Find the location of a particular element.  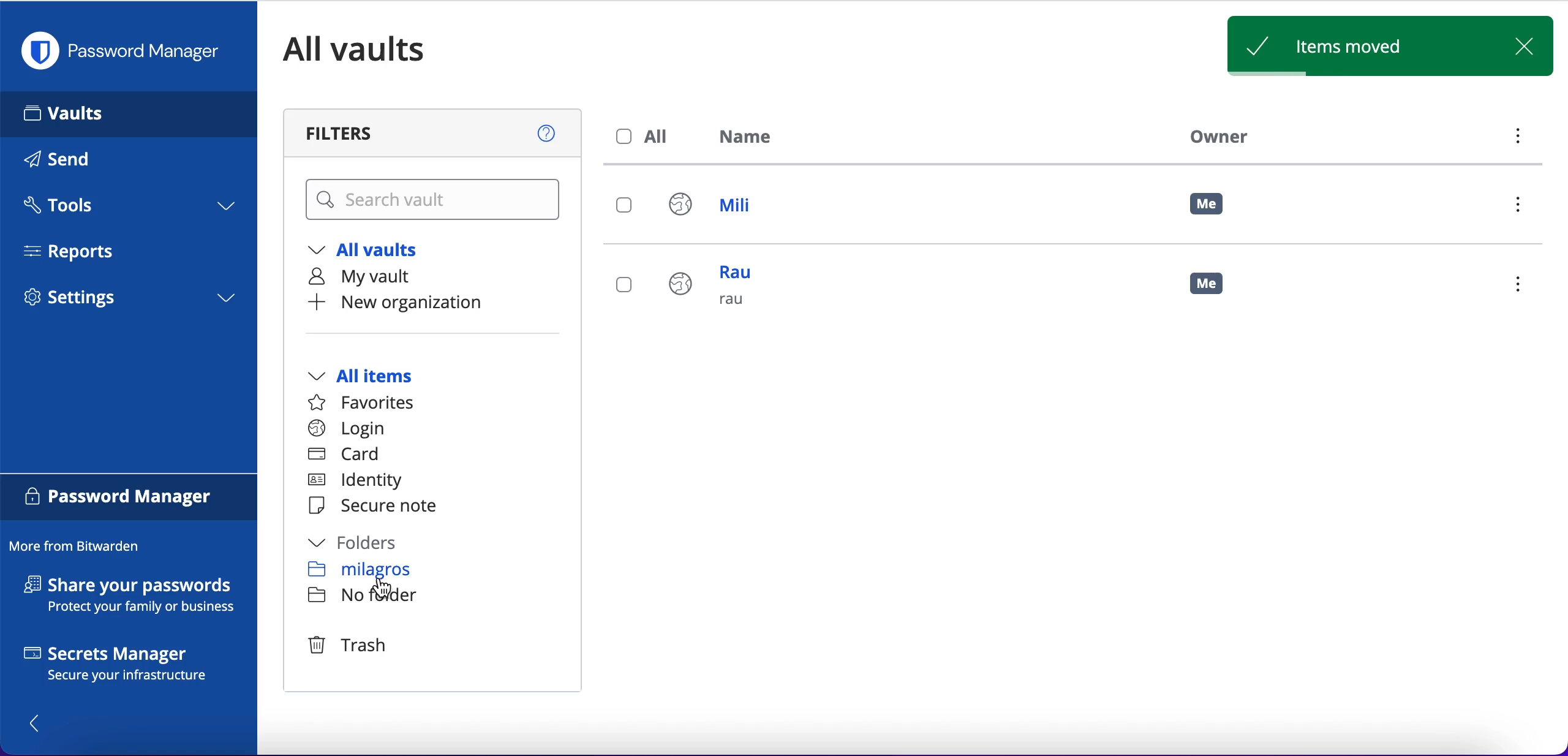

milagros is located at coordinates (361, 571).